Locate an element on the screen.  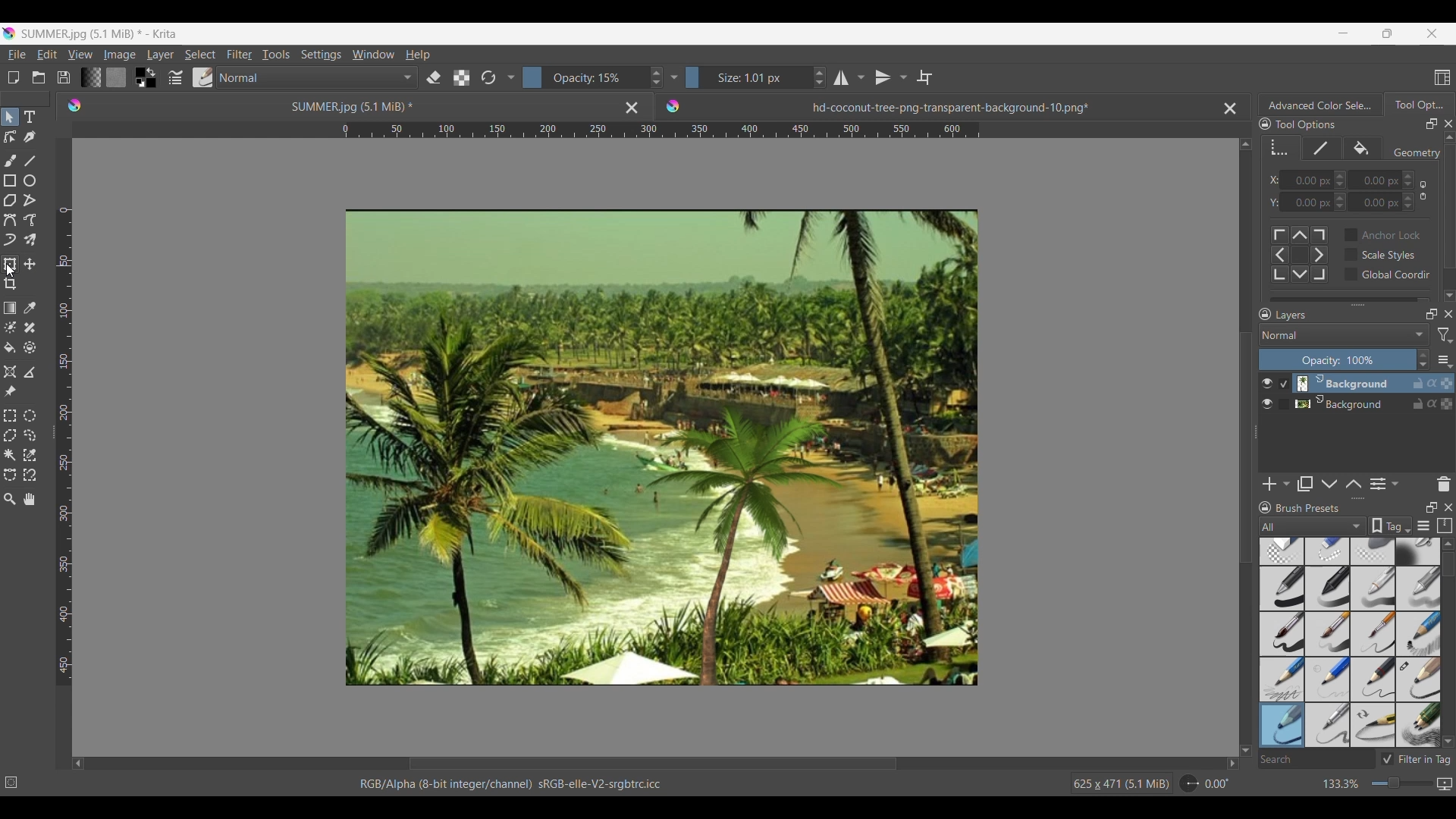
basic 5-size is located at coordinates (1283, 634).